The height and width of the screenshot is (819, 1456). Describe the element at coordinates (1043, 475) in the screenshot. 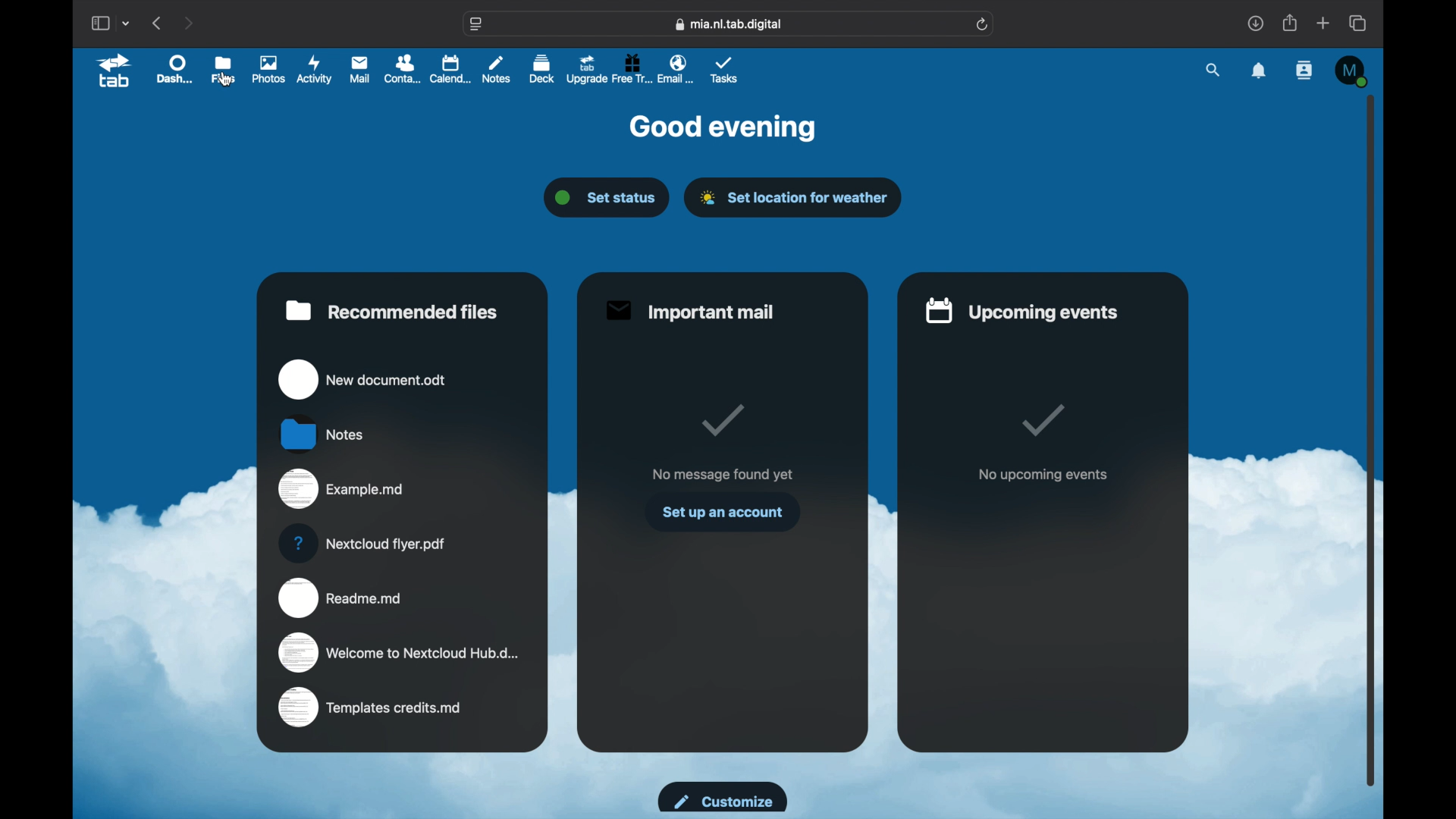

I see `no upcoming events` at that location.